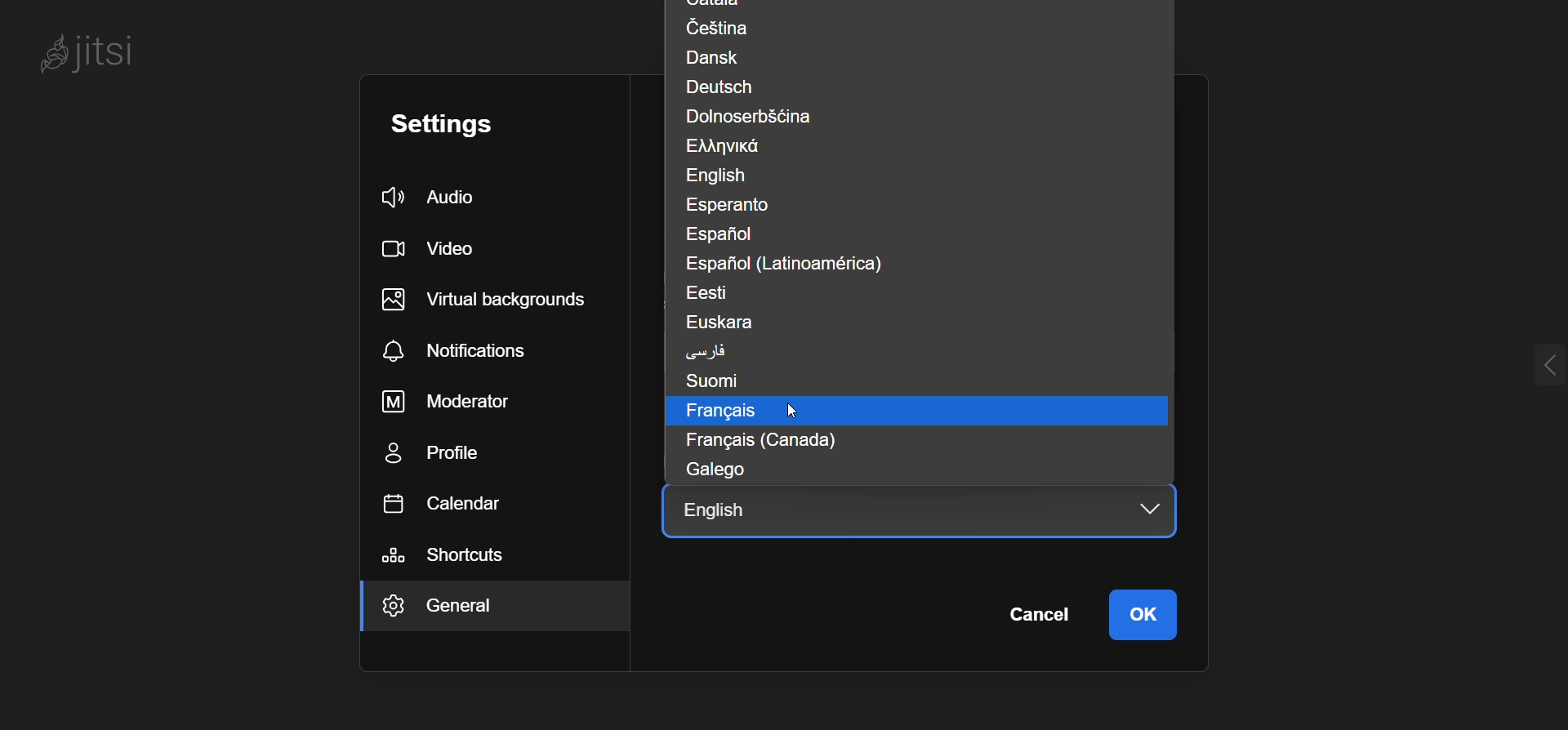 This screenshot has width=1568, height=730. What do you see at coordinates (472, 609) in the screenshot?
I see `General` at bounding box center [472, 609].